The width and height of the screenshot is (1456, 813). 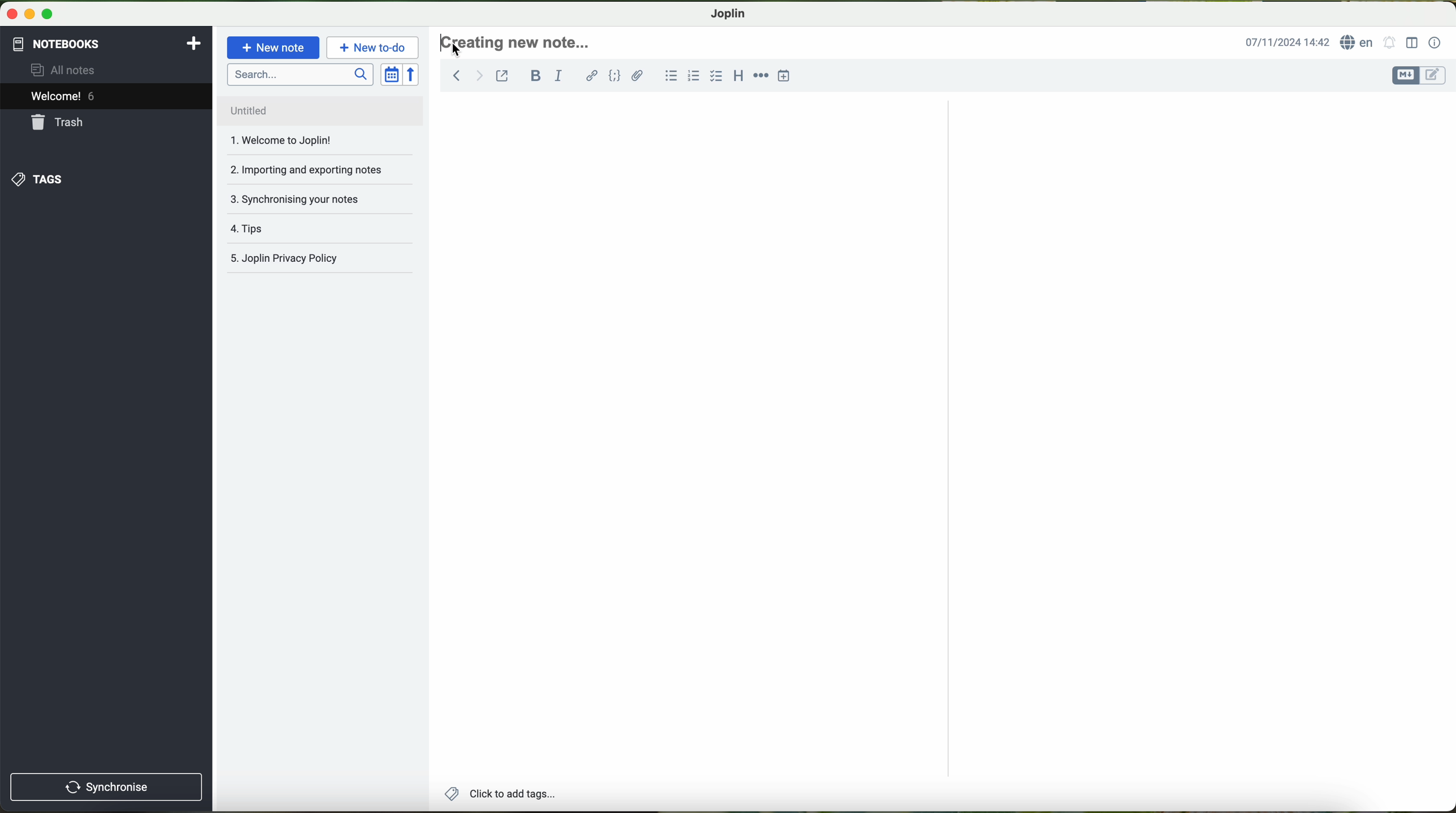 I want to click on checkbox, so click(x=716, y=77).